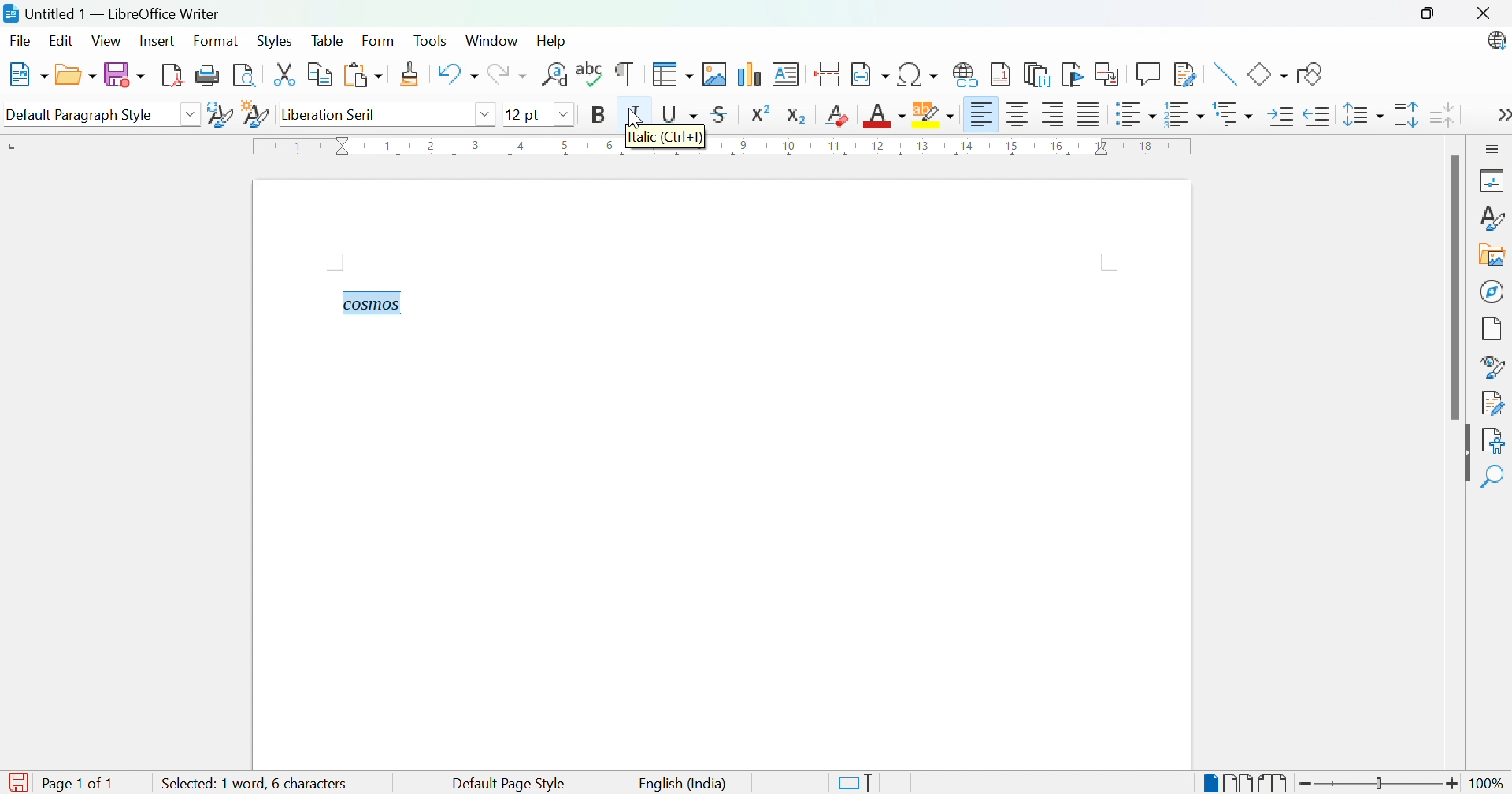  Describe the element at coordinates (721, 114) in the screenshot. I see `Strikethrough` at that location.